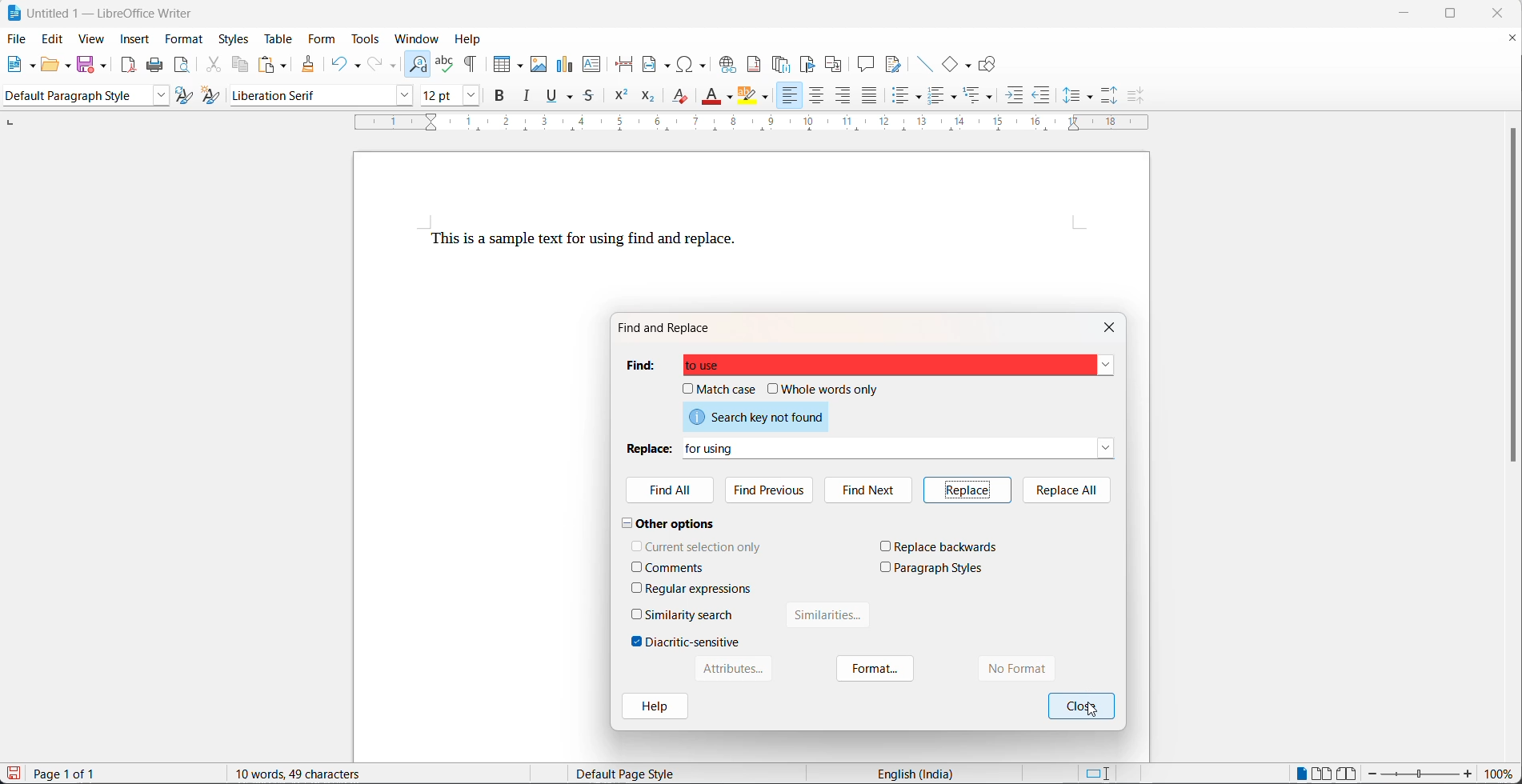 This screenshot has height=784, width=1522. Describe the element at coordinates (924, 64) in the screenshot. I see `insert lines` at that location.